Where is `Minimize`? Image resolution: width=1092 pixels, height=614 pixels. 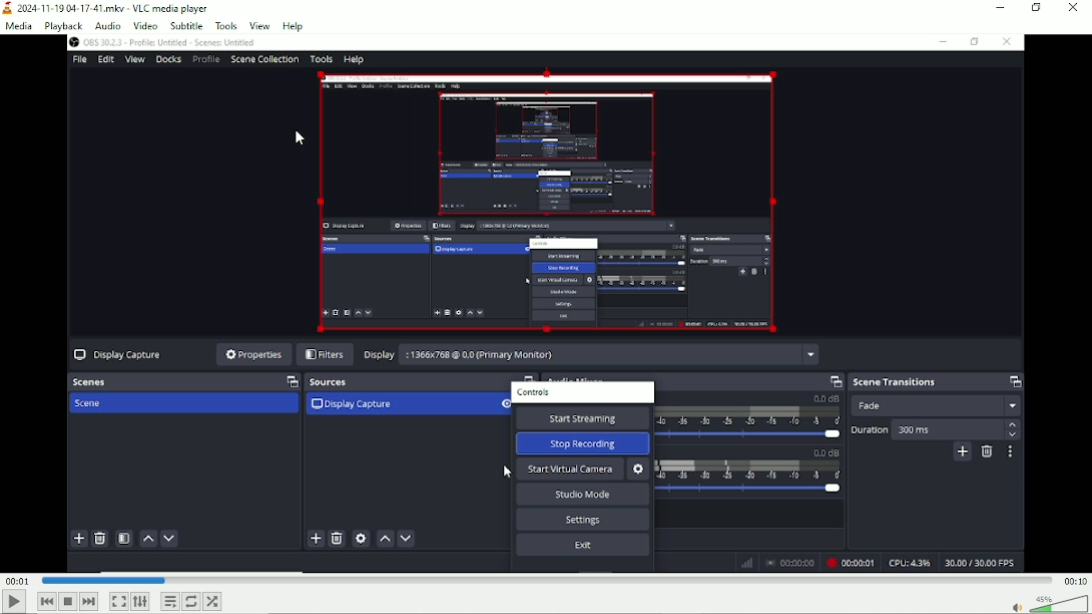 Minimize is located at coordinates (1001, 7).